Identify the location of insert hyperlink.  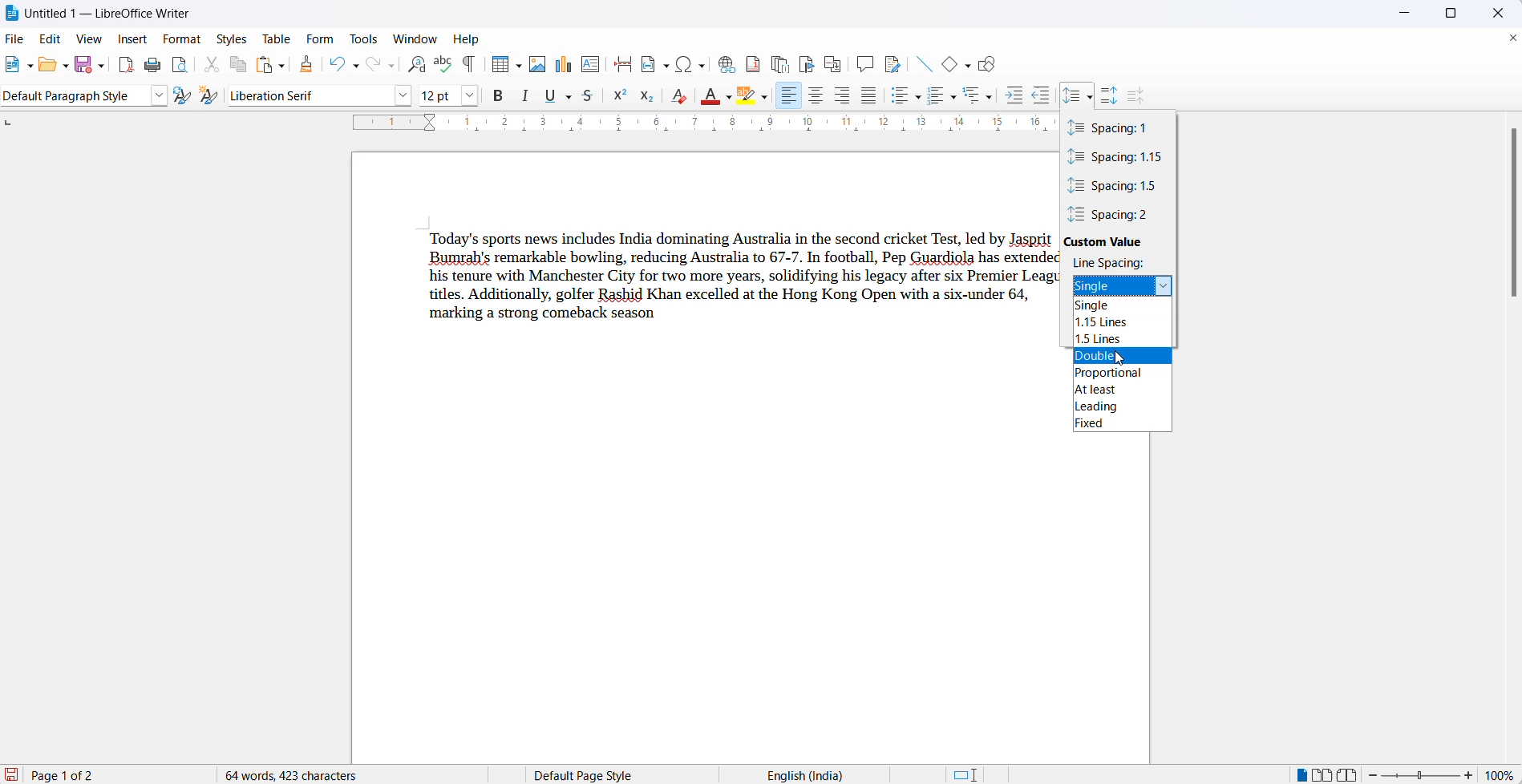
(723, 63).